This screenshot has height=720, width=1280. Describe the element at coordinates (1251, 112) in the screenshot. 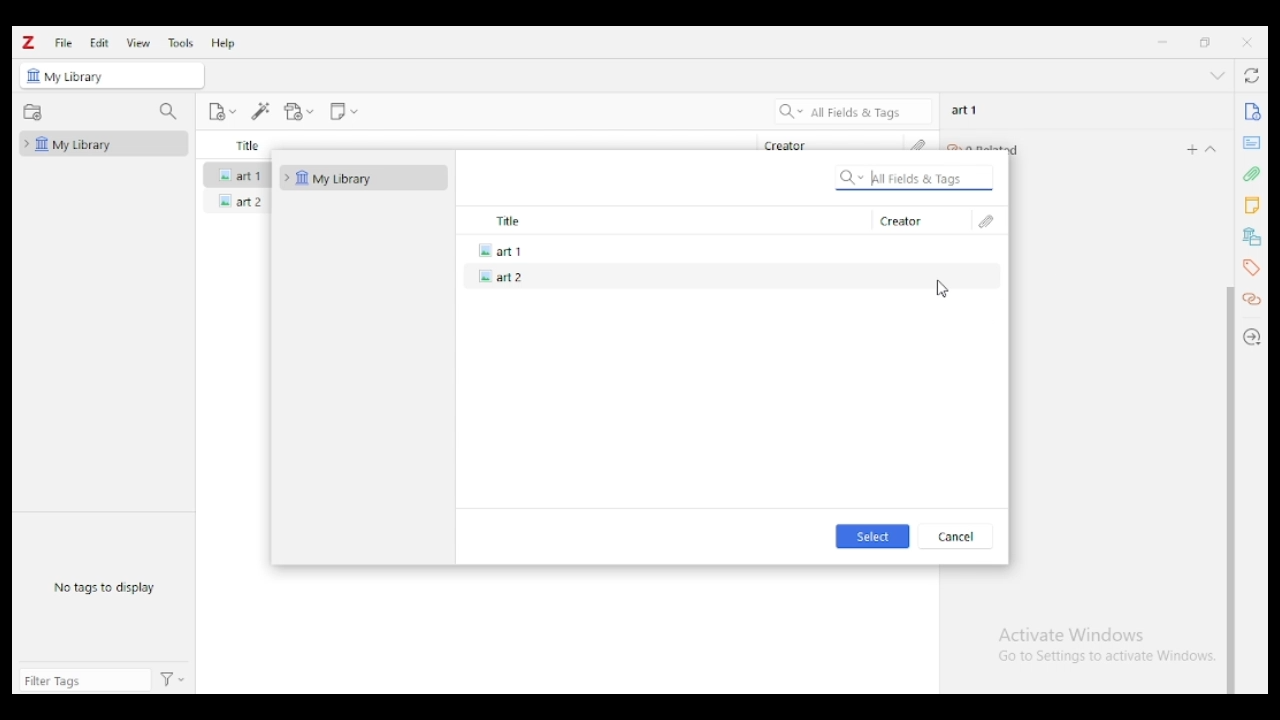

I see `info` at that location.